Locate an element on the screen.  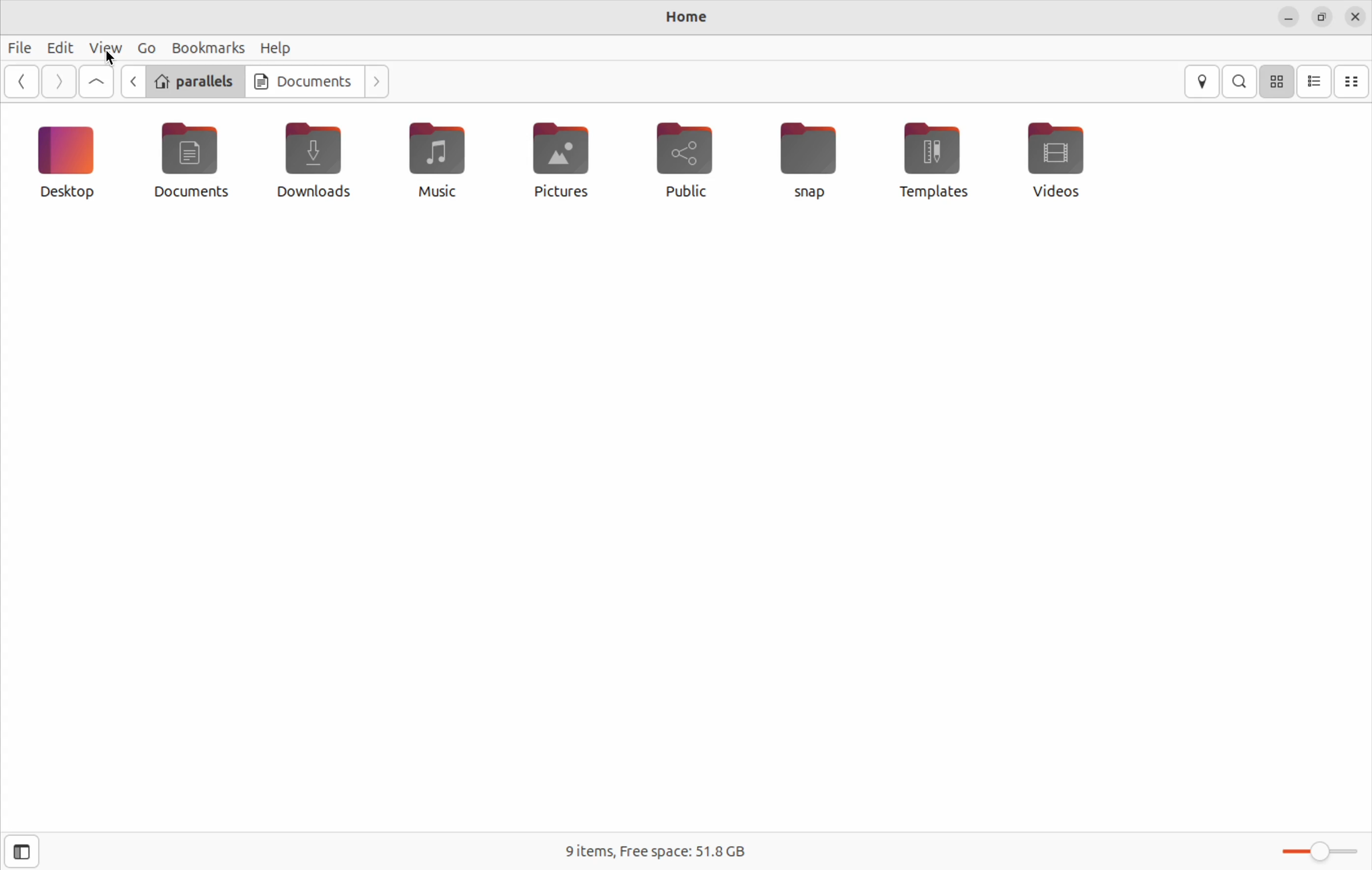
parallels is located at coordinates (198, 82).